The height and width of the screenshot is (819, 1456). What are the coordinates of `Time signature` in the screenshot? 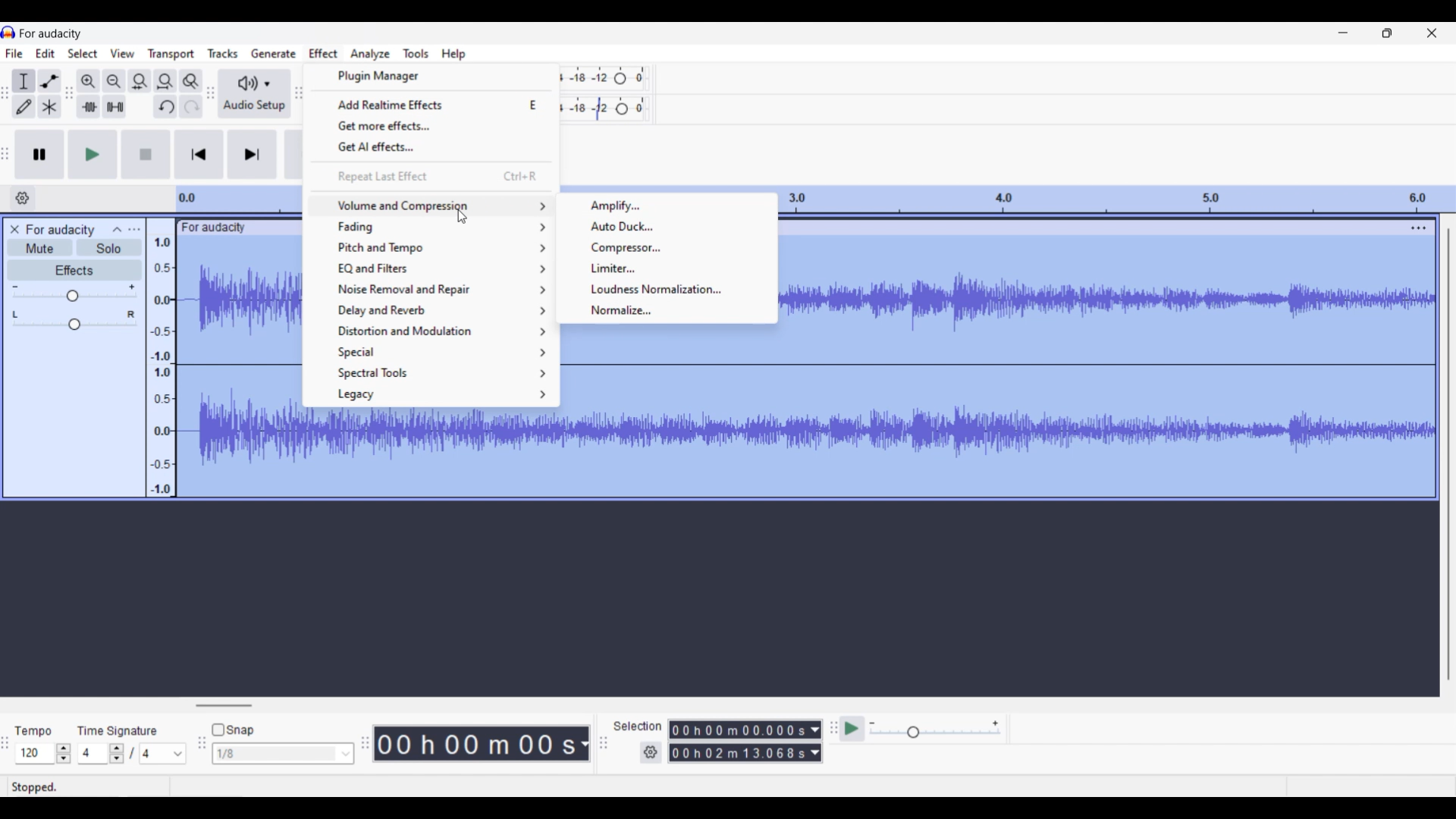 It's located at (118, 730).